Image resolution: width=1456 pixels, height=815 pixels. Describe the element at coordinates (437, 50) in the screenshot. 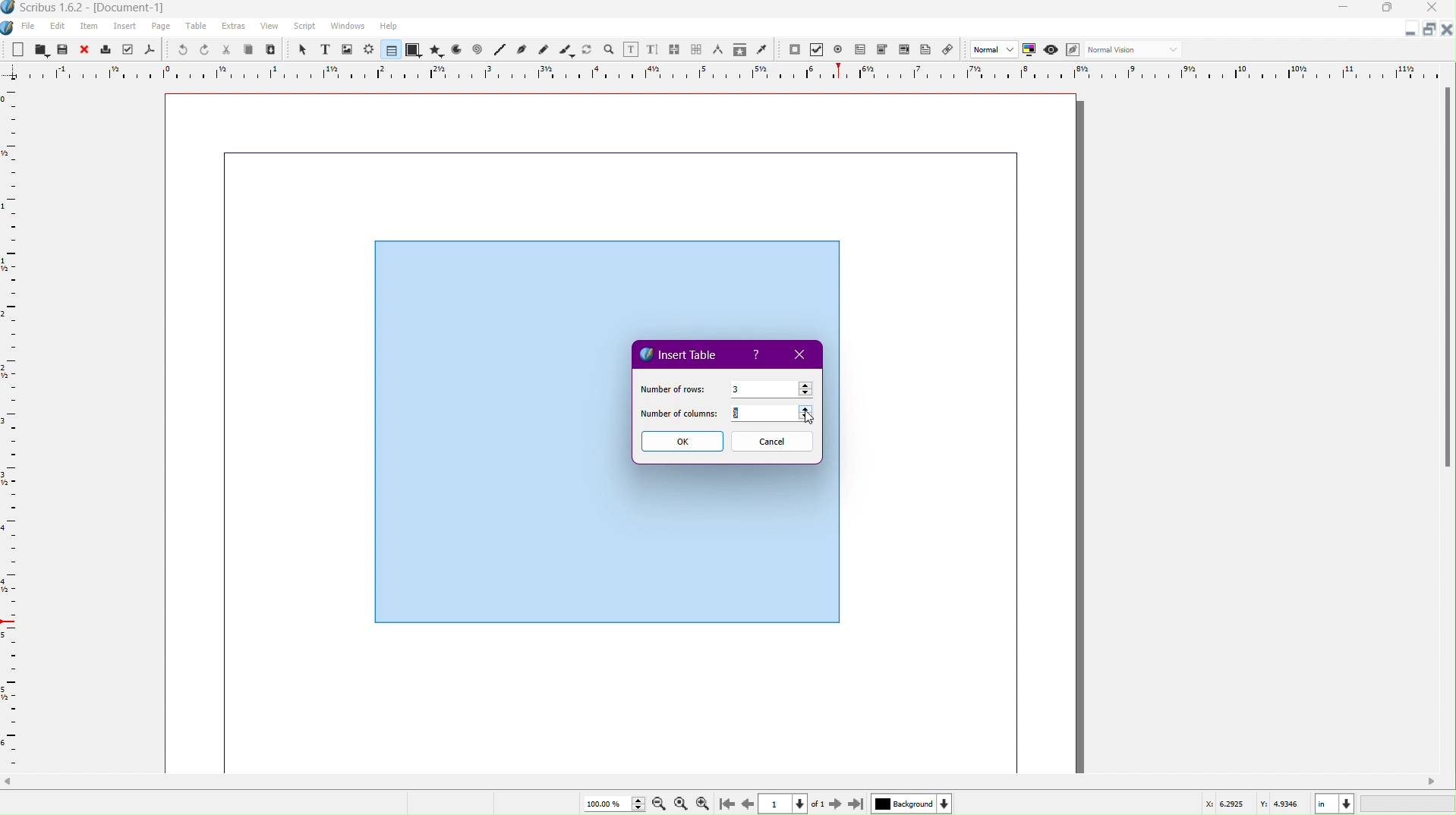

I see `Polygon` at that location.